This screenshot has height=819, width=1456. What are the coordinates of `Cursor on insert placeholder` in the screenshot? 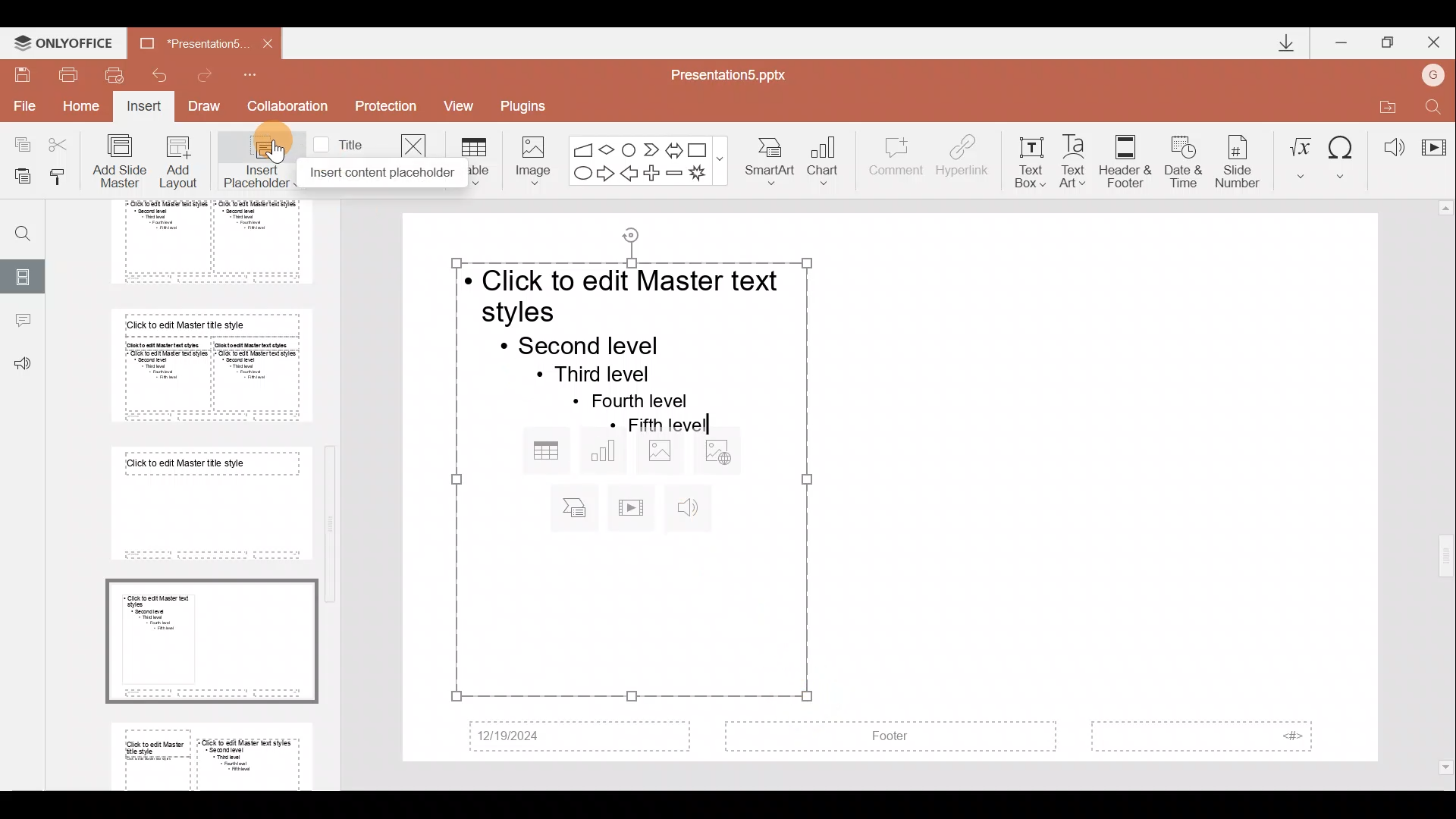 It's located at (274, 150).